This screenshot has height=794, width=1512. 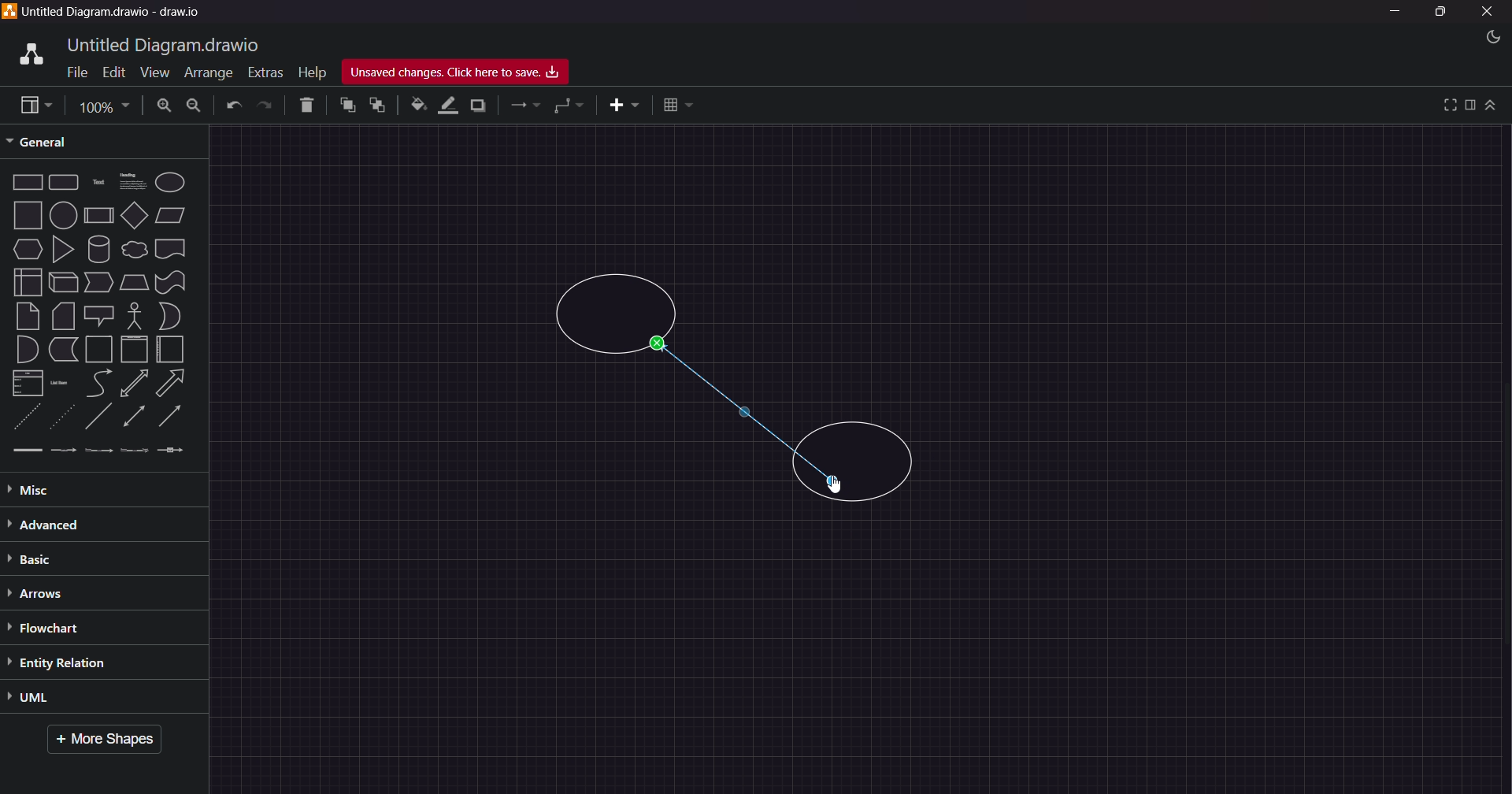 What do you see at coordinates (524, 106) in the screenshot?
I see `connections` at bounding box center [524, 106].